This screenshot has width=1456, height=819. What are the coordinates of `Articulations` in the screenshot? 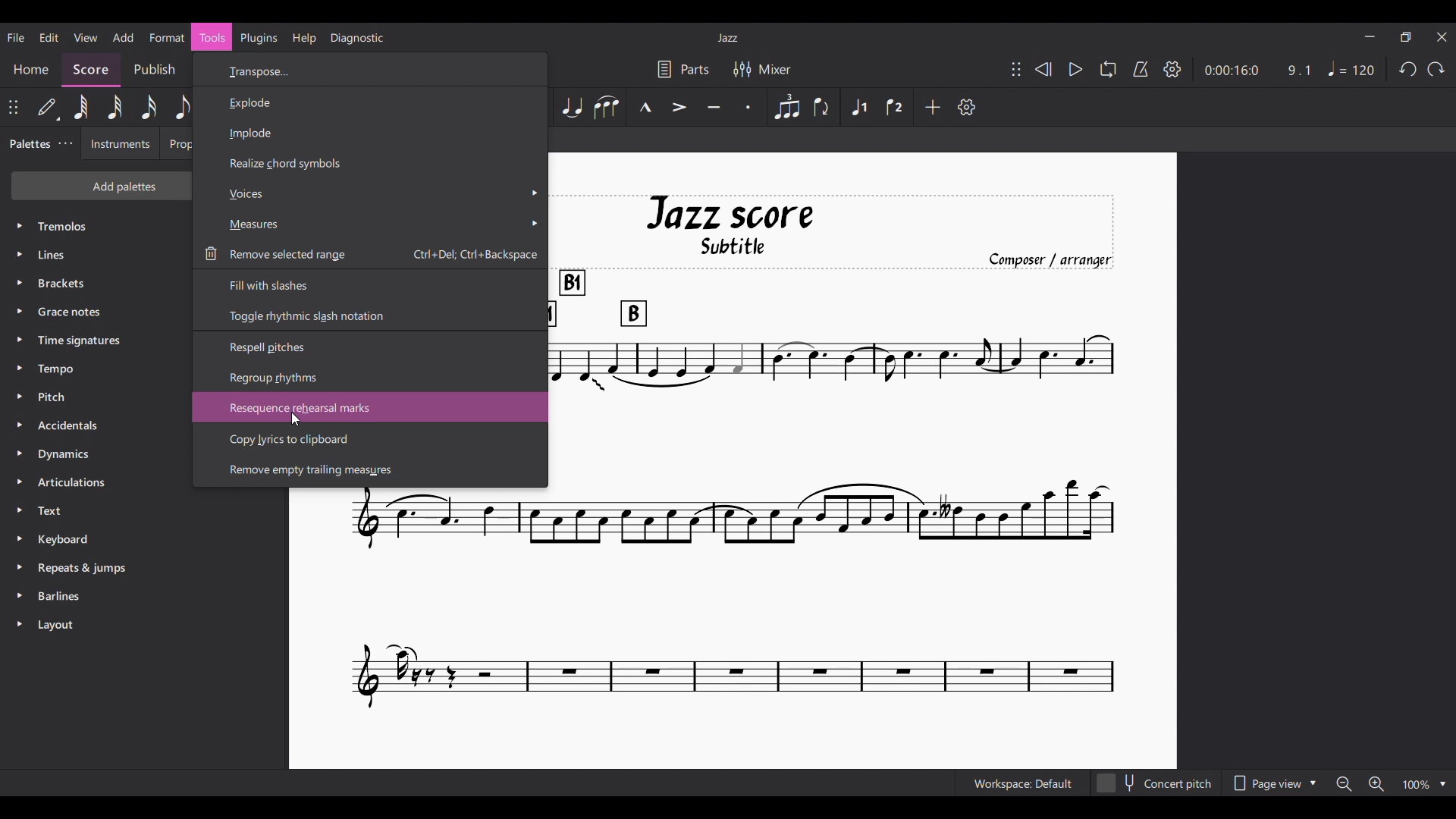 It's located at (96, 482).